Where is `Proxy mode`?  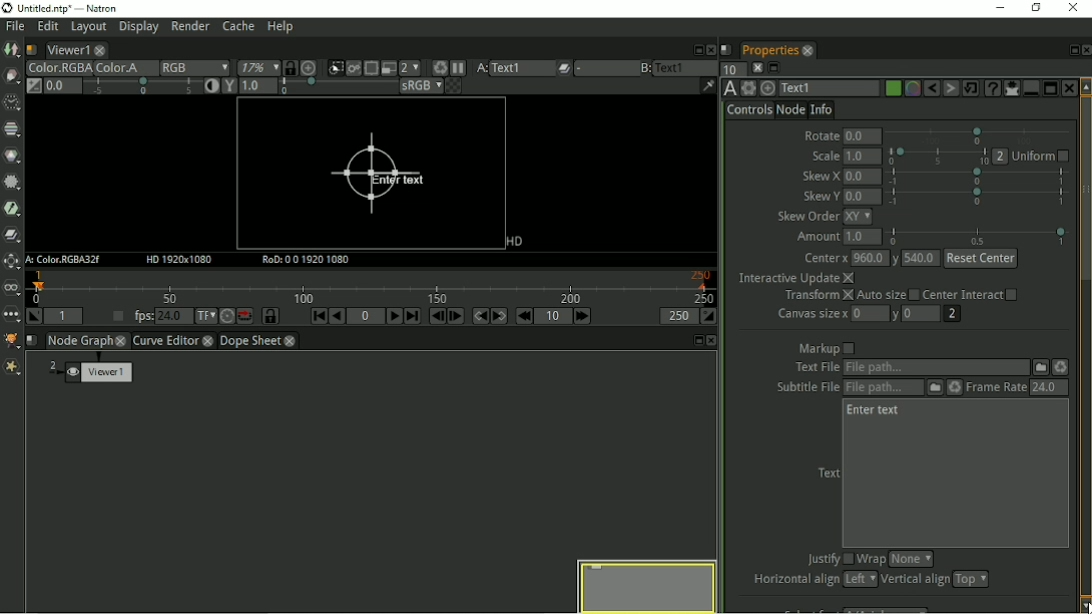
Proxy mode is located at coordinates (387, 69).